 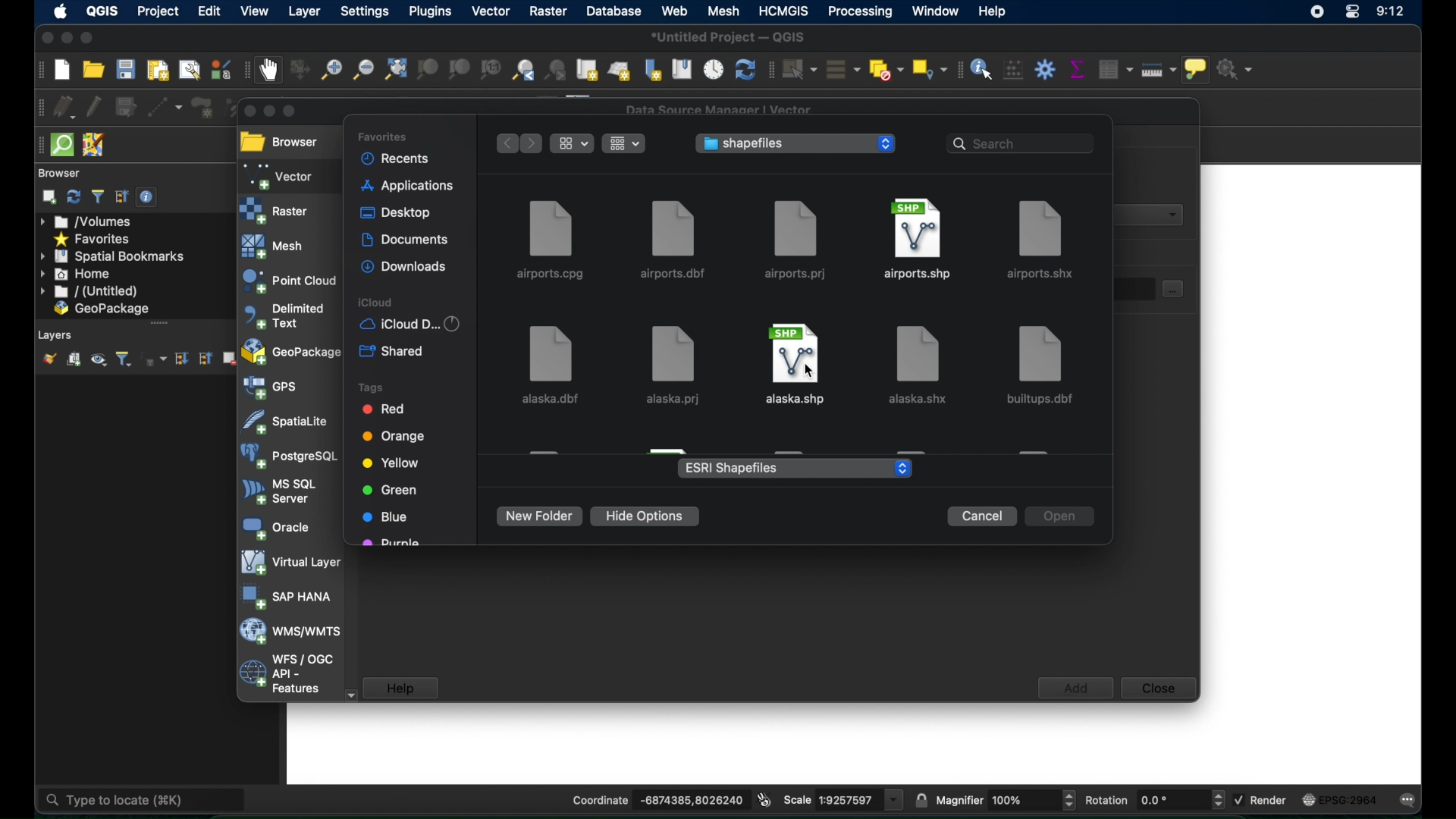 What do you see at coordinates (158, 69) in the screenshot?
I see `new paint layout` at bounding box center [158, 69].